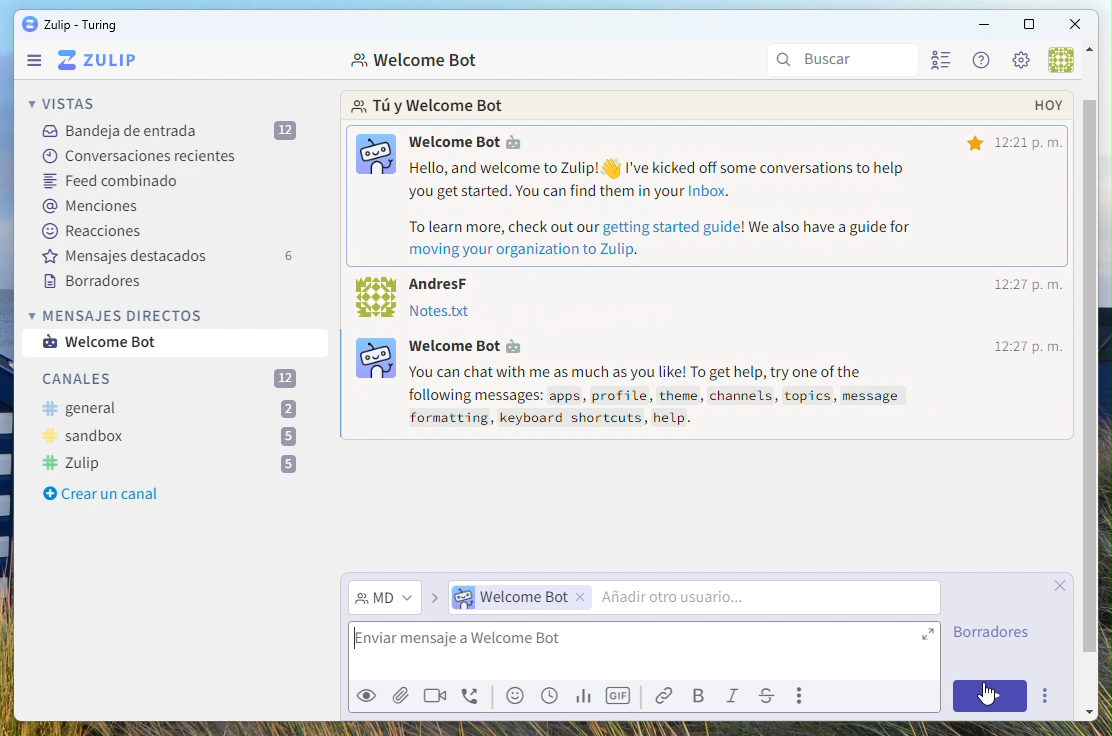 This screenshot has width=1112, height=736. What do you see at coordinates (1089, 292) in the screenshot?
I see `scroll bar` at bounding box center [1089, 292].